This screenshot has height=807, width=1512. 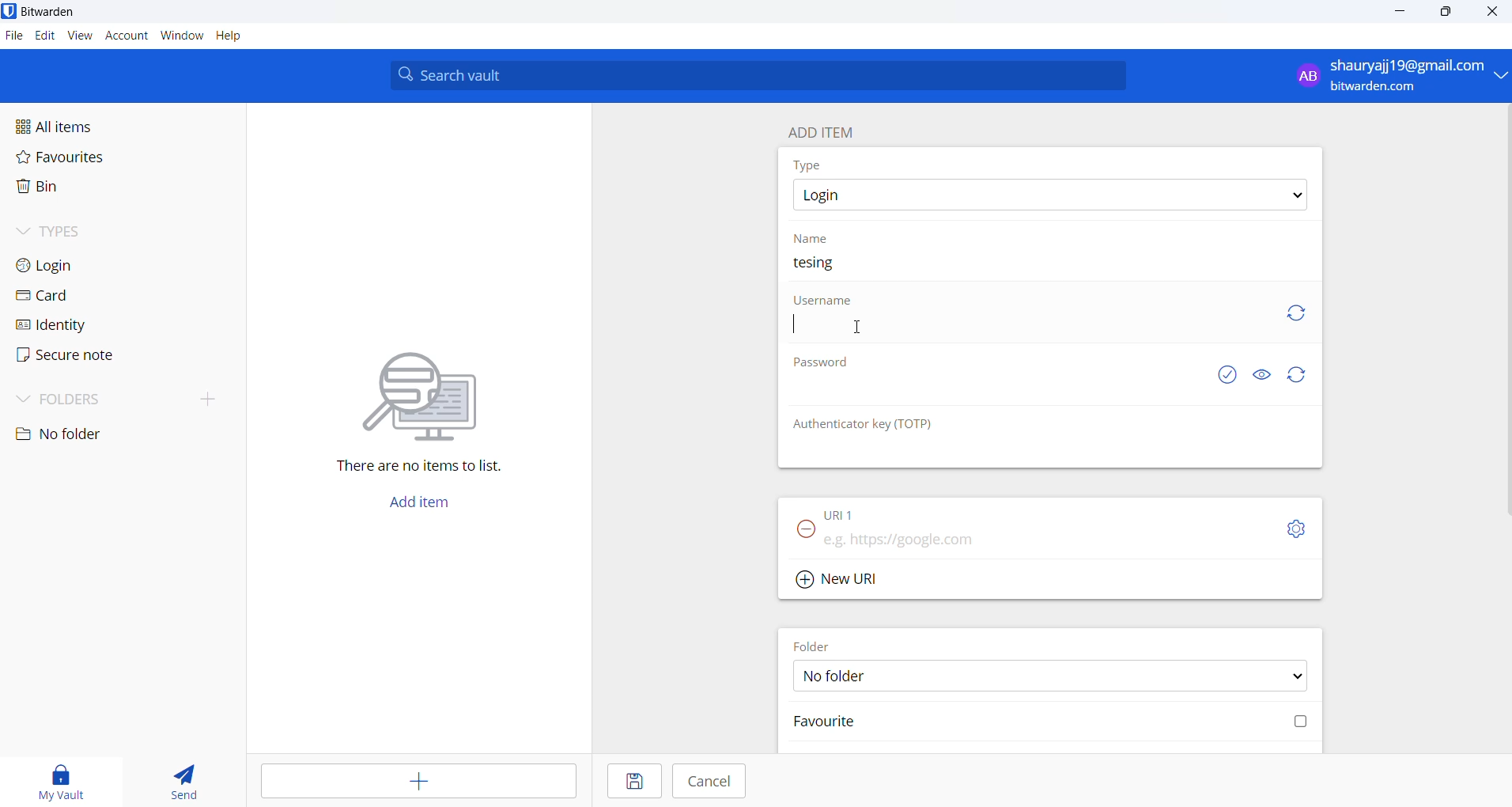 What do you see at coordinates (95, 401) in the screenshot?
I see `folders` at bounding box center [95, 401].